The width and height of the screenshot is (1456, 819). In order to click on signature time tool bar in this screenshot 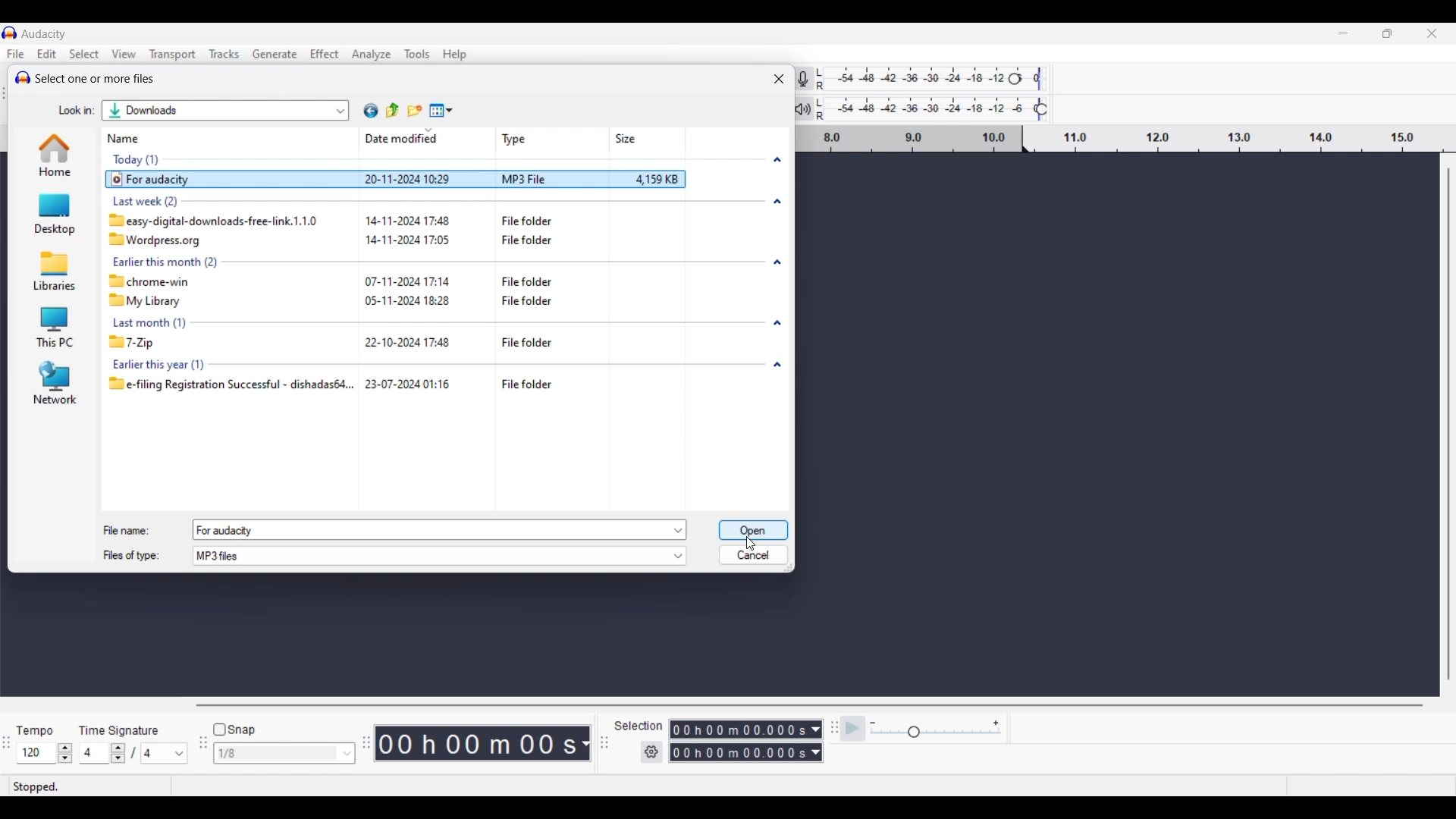, I will do `click(6, 744)`.